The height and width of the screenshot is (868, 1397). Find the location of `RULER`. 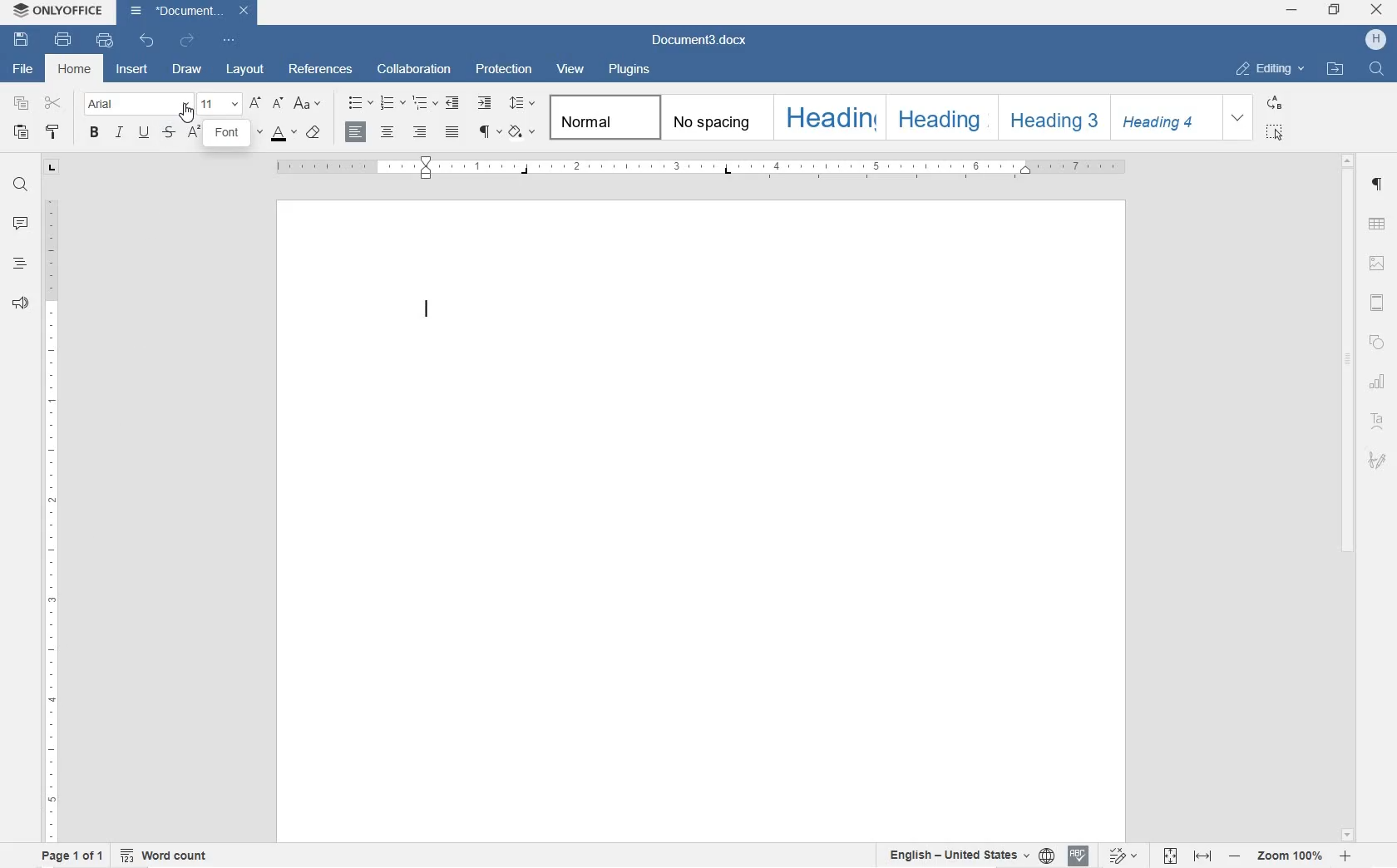

RULER is located at coordinates (51, 520).